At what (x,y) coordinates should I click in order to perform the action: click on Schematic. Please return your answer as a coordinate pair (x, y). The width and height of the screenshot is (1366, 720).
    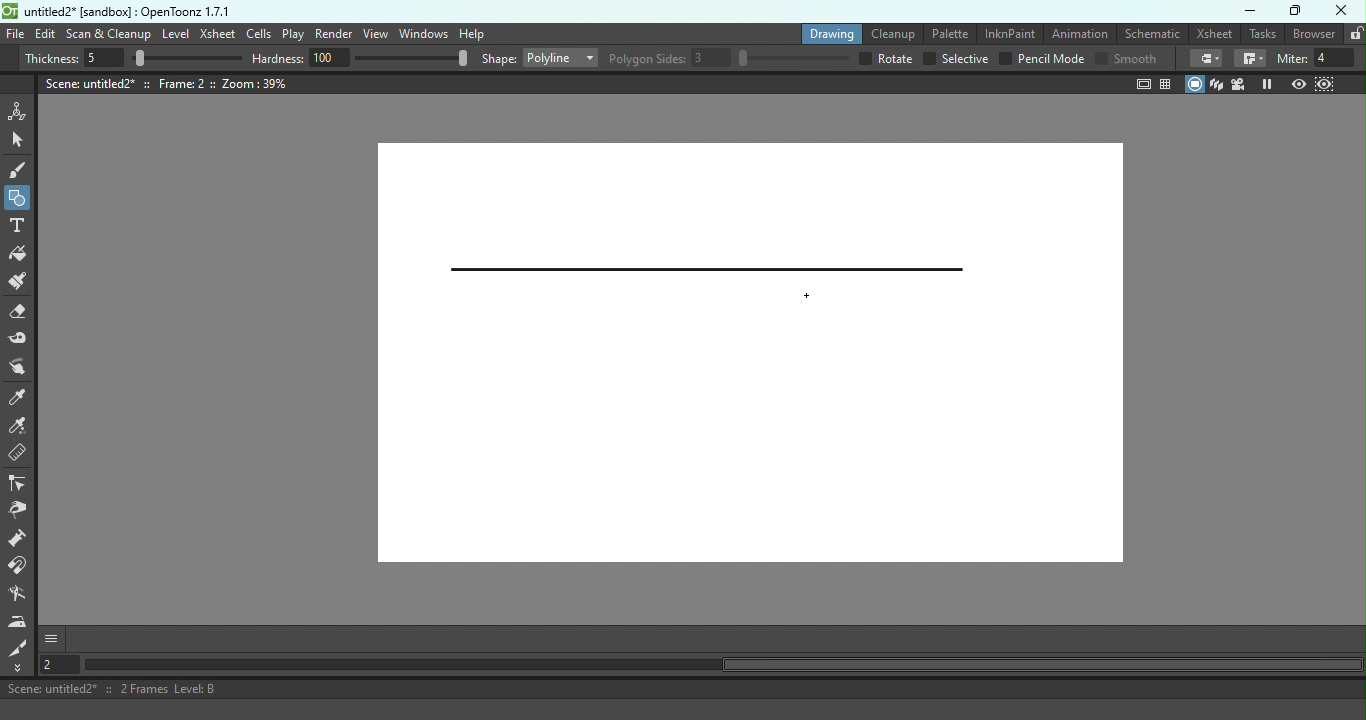
    Looking at the image, I should click on (1151, 32).